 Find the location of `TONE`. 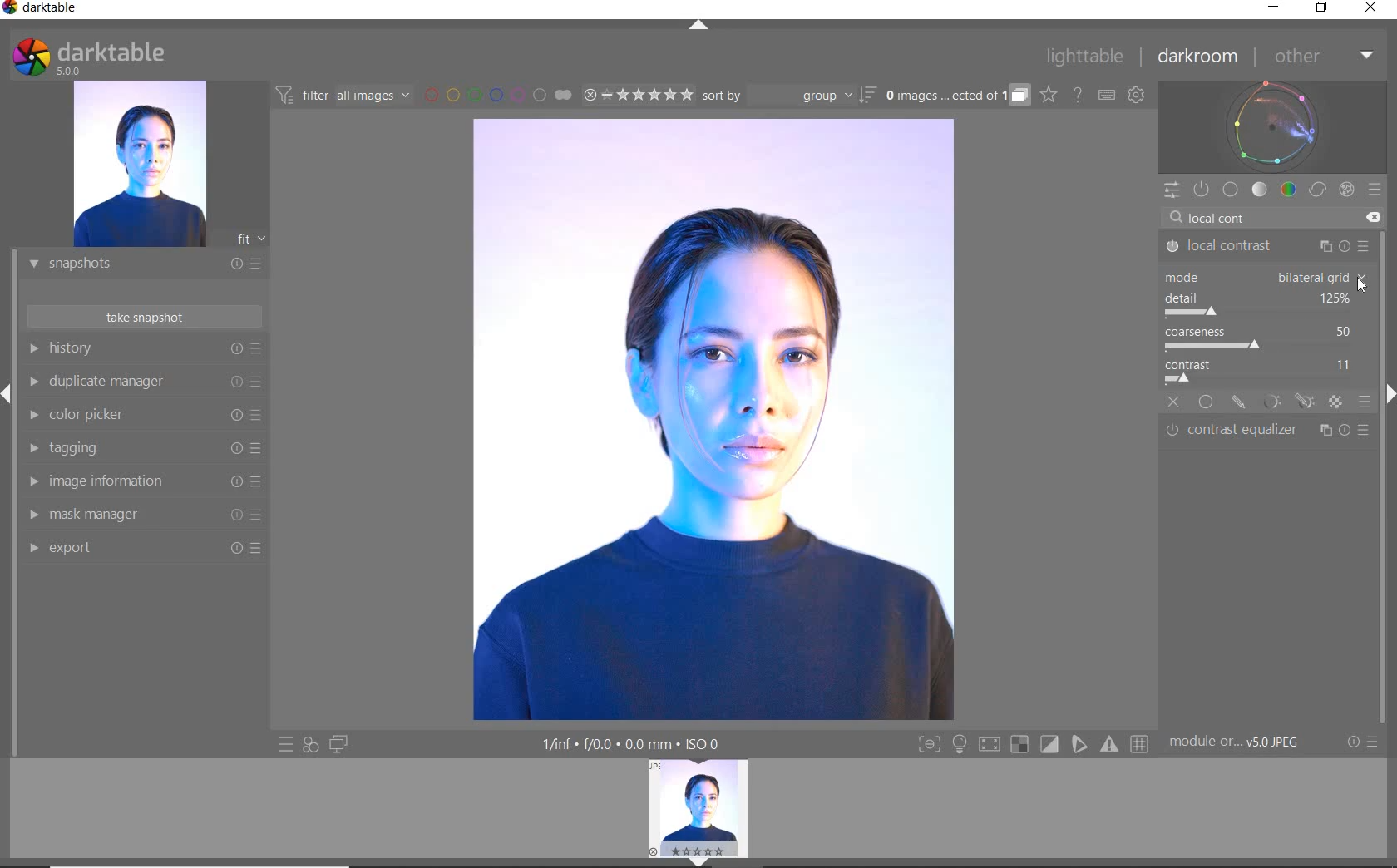

TONE is located at coordinates (1261, 190).